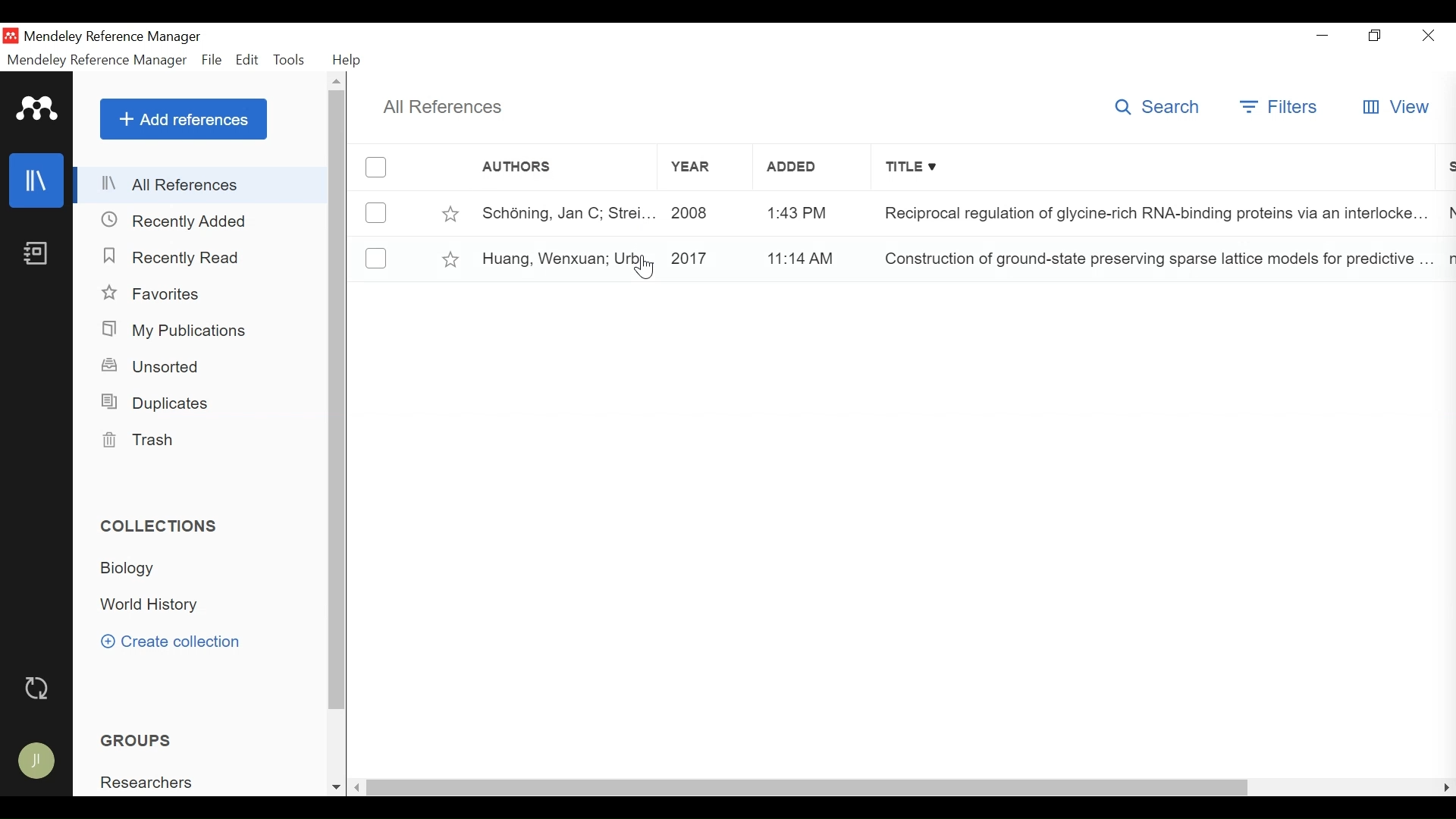 The image size is (1456, 819). Describe the element at coordinates (133, 568) in the screenshot. I see `Collection` at that location.